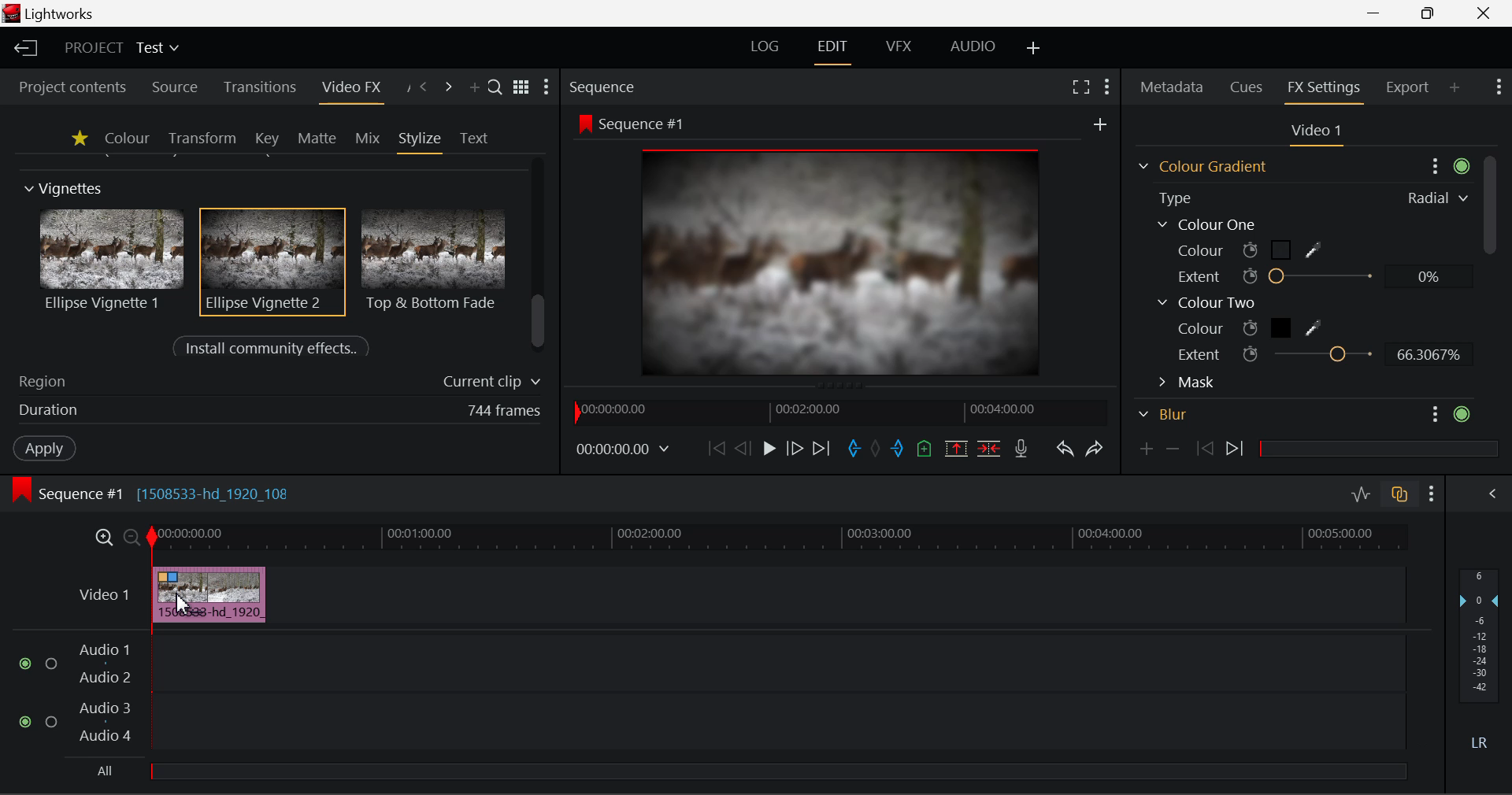 The height and width of the screenshot is (795, 1512). What do you see at coordinates (1092, 447) in the screenshot?
I see `Redo` at bounding box center [1092, 447].